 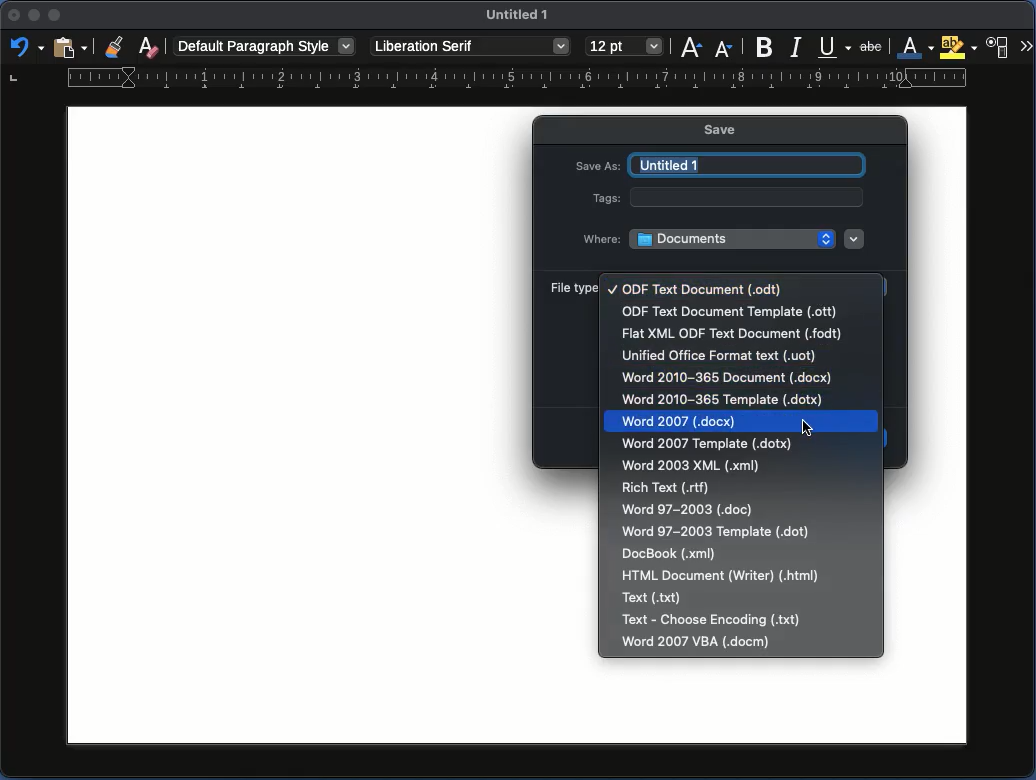 I want to click on Font style, so click(x=470, y=47).